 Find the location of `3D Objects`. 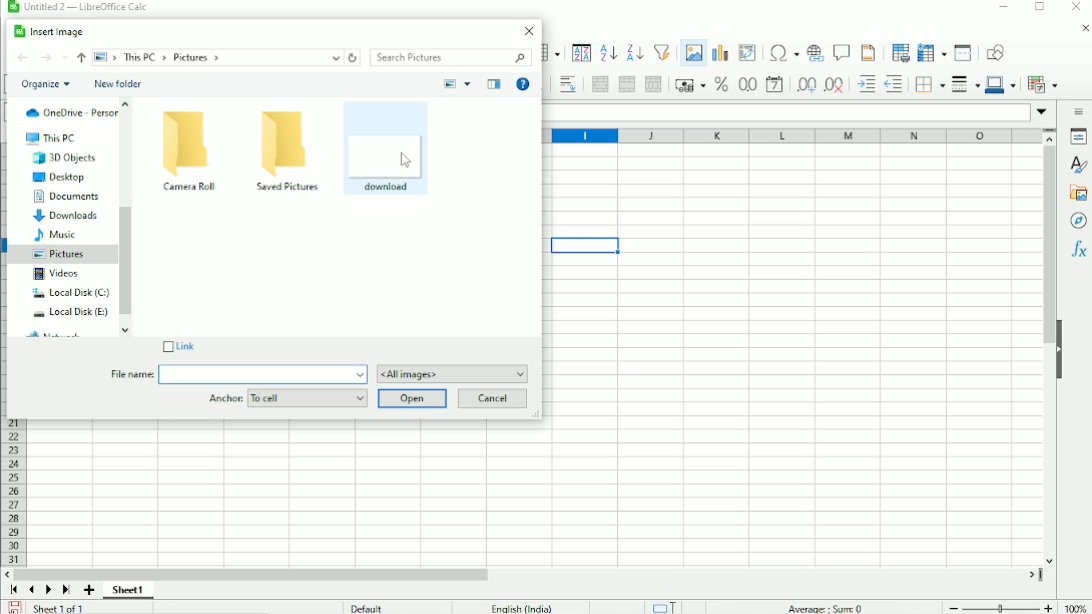

3D Objects is located at coordinates (63, 158).